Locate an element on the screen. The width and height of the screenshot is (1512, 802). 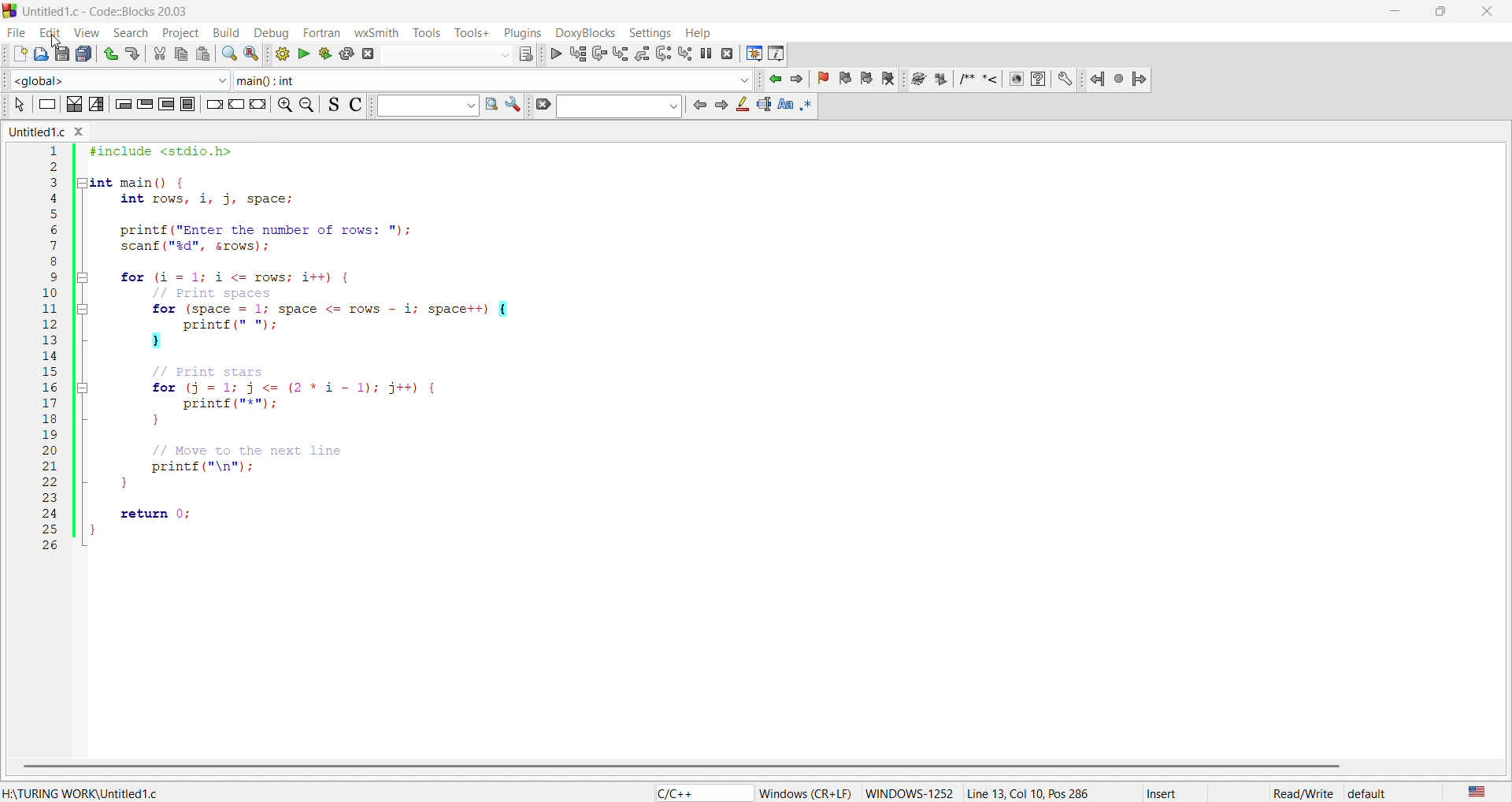
new file is located at coordinates (17, 51).